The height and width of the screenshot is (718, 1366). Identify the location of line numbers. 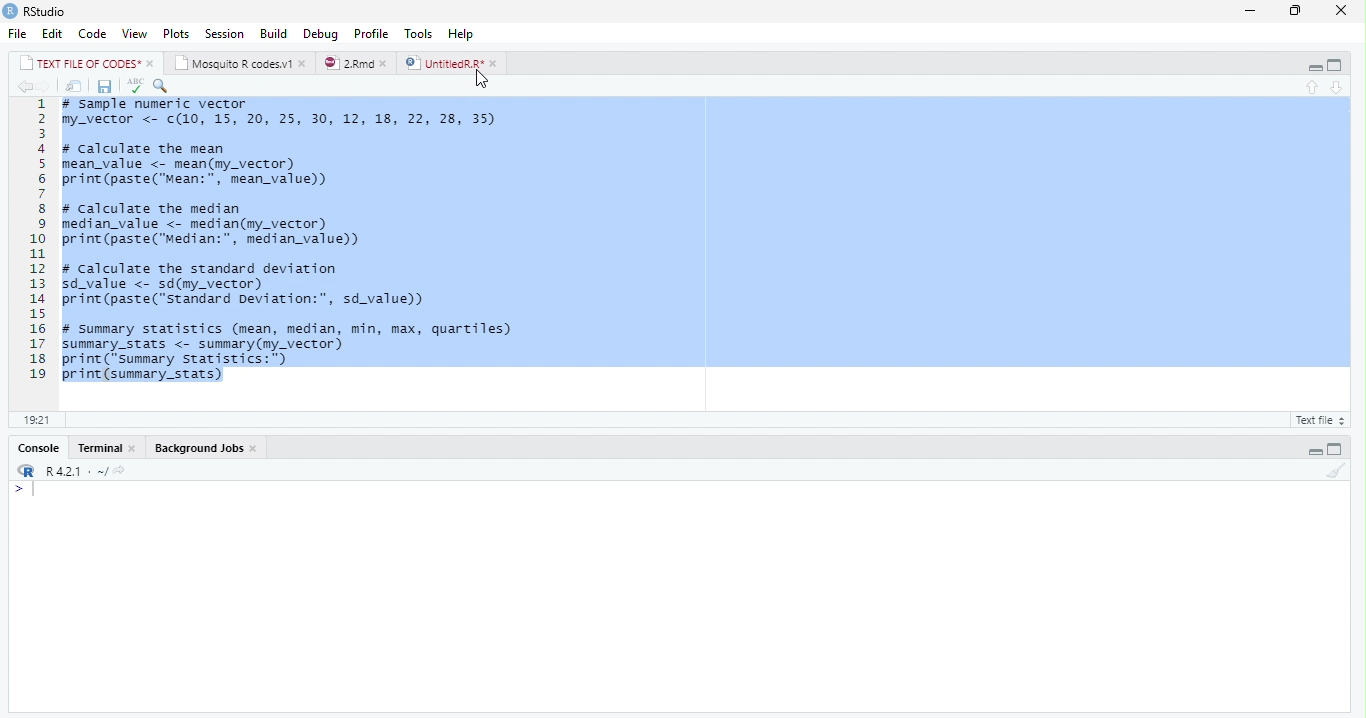
(33, 239).